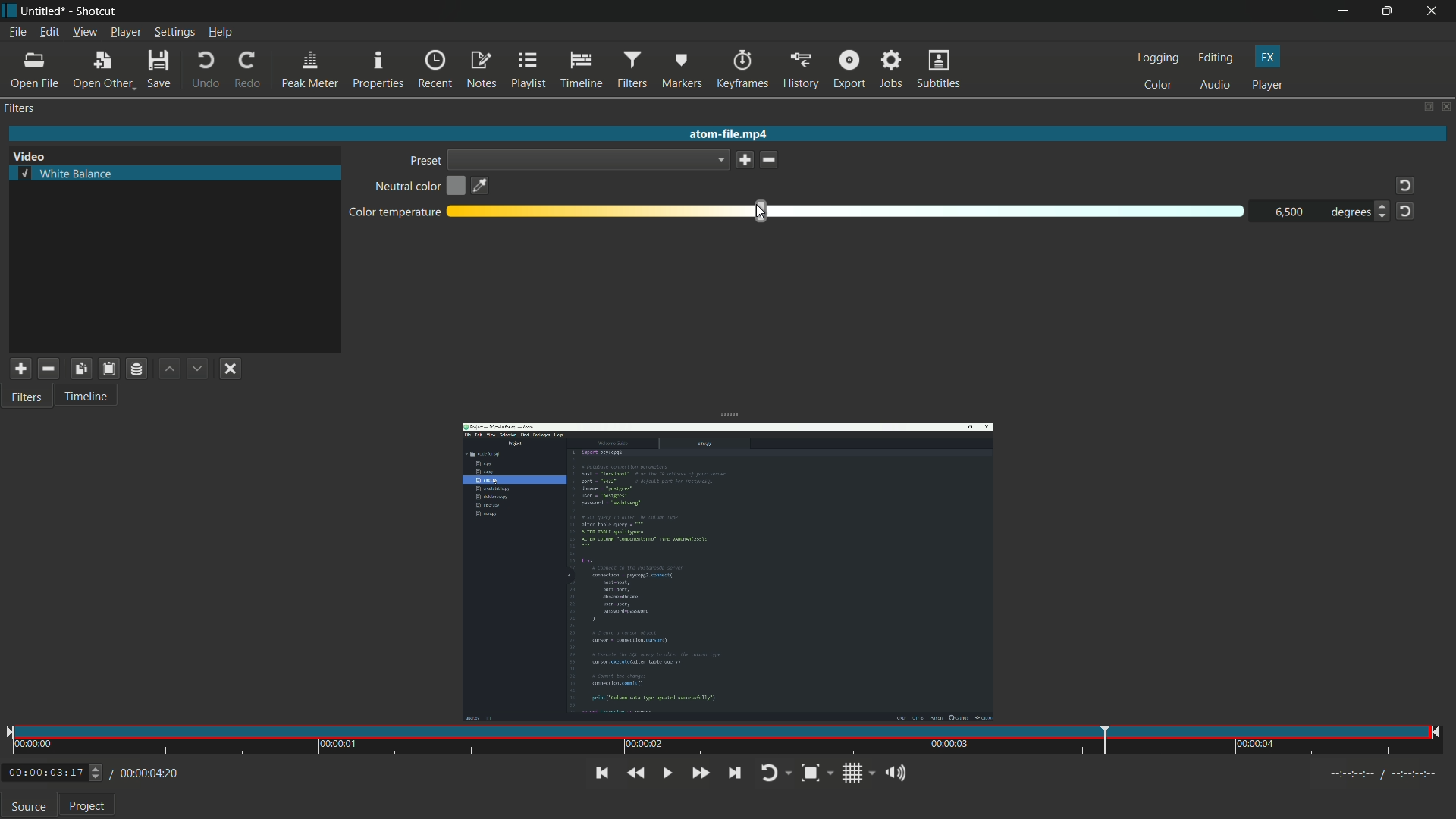 Image resolution: width=1456 pixels, height=819 pixels. Describe the element at coordinates (1389, 11) in the screenshot. I see `maximize` at that location.